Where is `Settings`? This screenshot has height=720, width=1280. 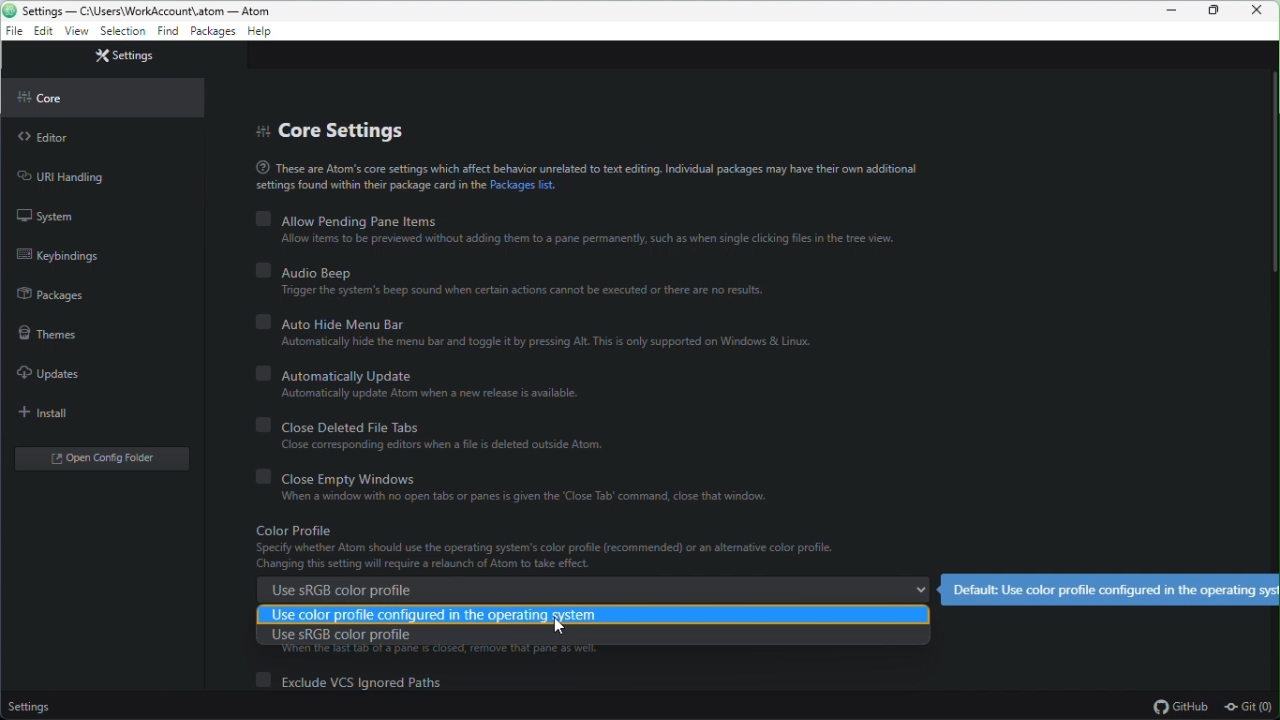 Settings is located at coordinates (127, 55).